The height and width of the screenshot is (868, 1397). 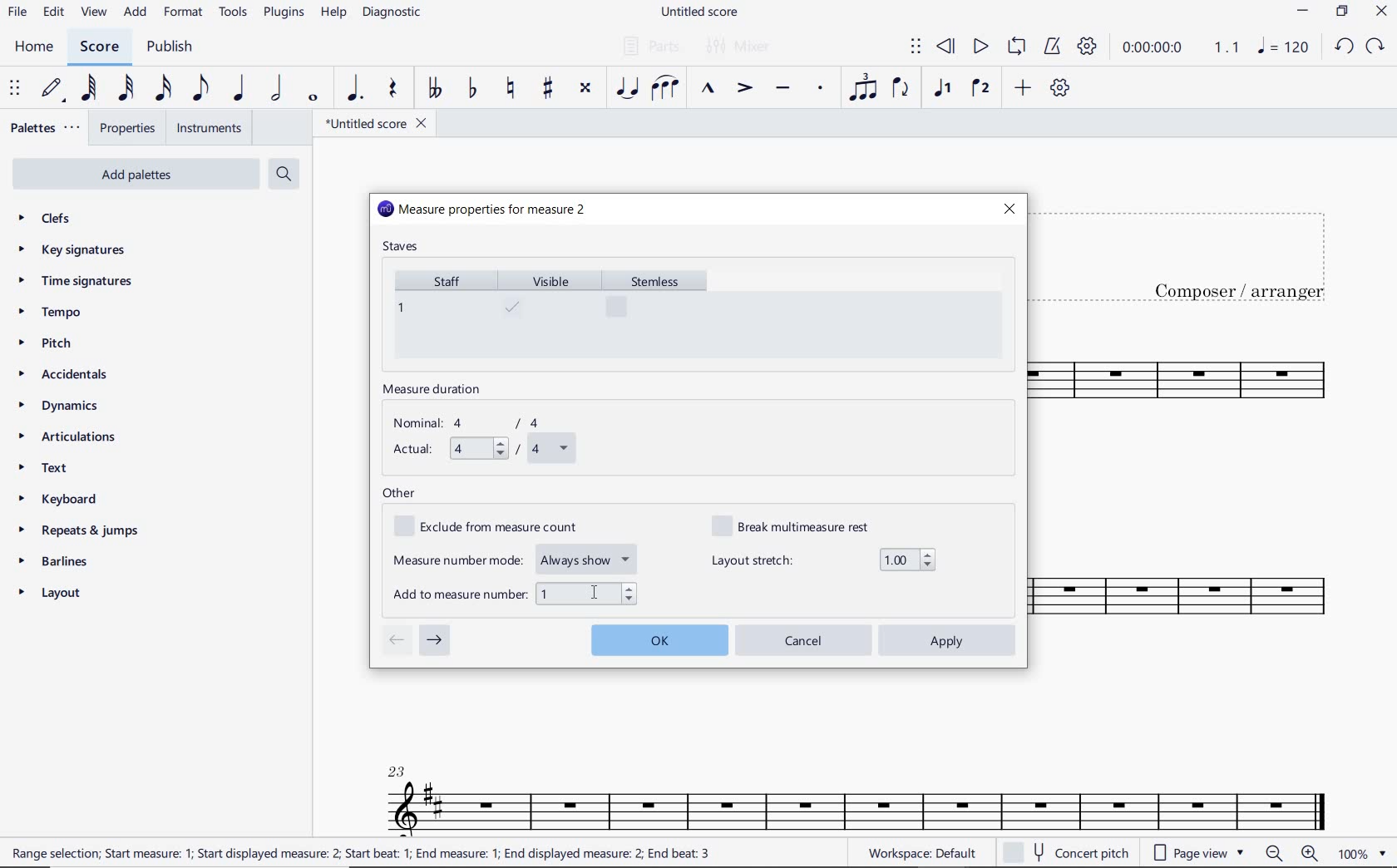 What do you see at coordinates (170, 48) in the screenshot?
I see `PUBLISH` at bounding box center [170, 48].